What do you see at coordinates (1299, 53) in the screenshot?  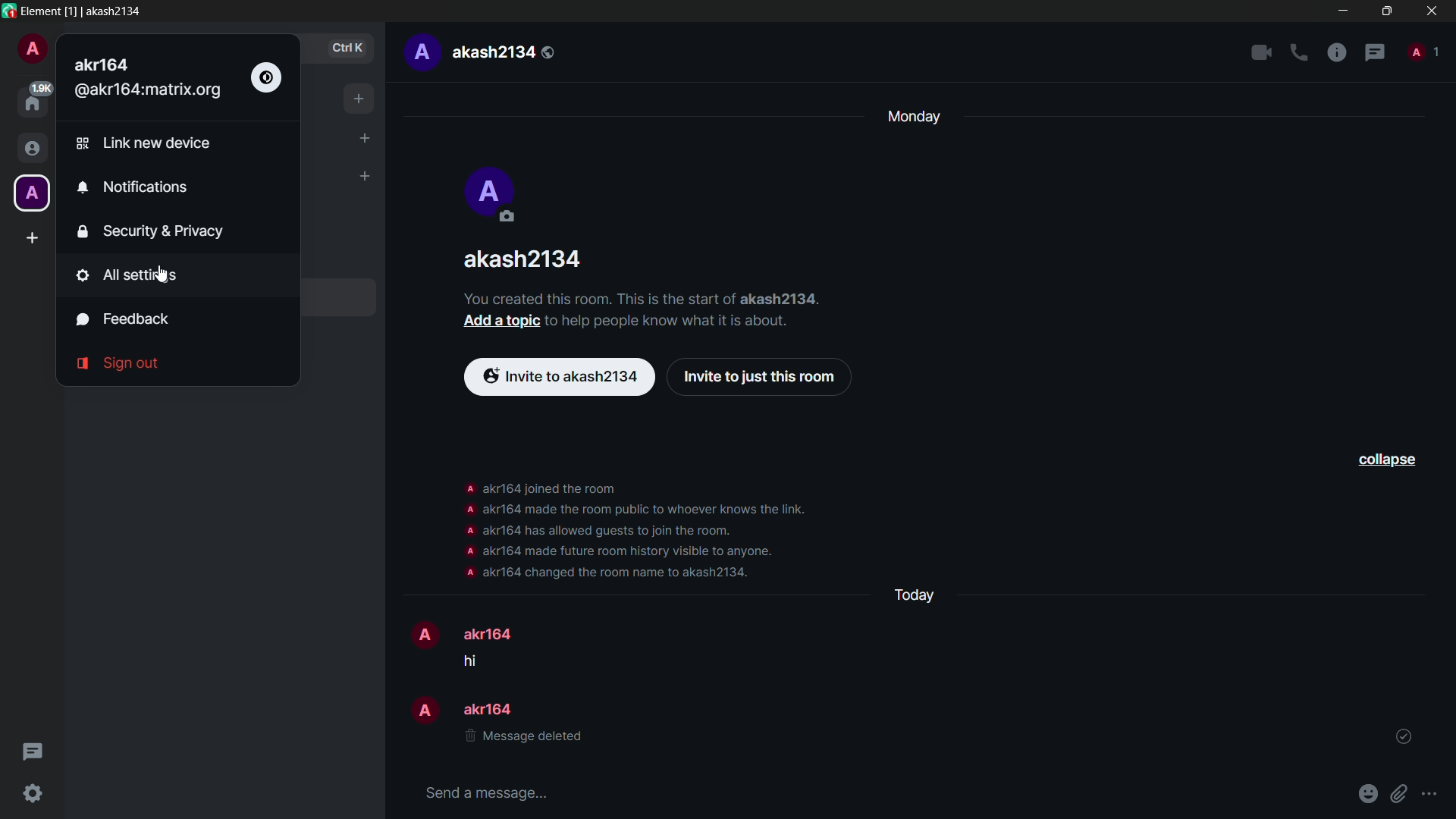 I see `add voice call` at bounding box center [1299, 53].